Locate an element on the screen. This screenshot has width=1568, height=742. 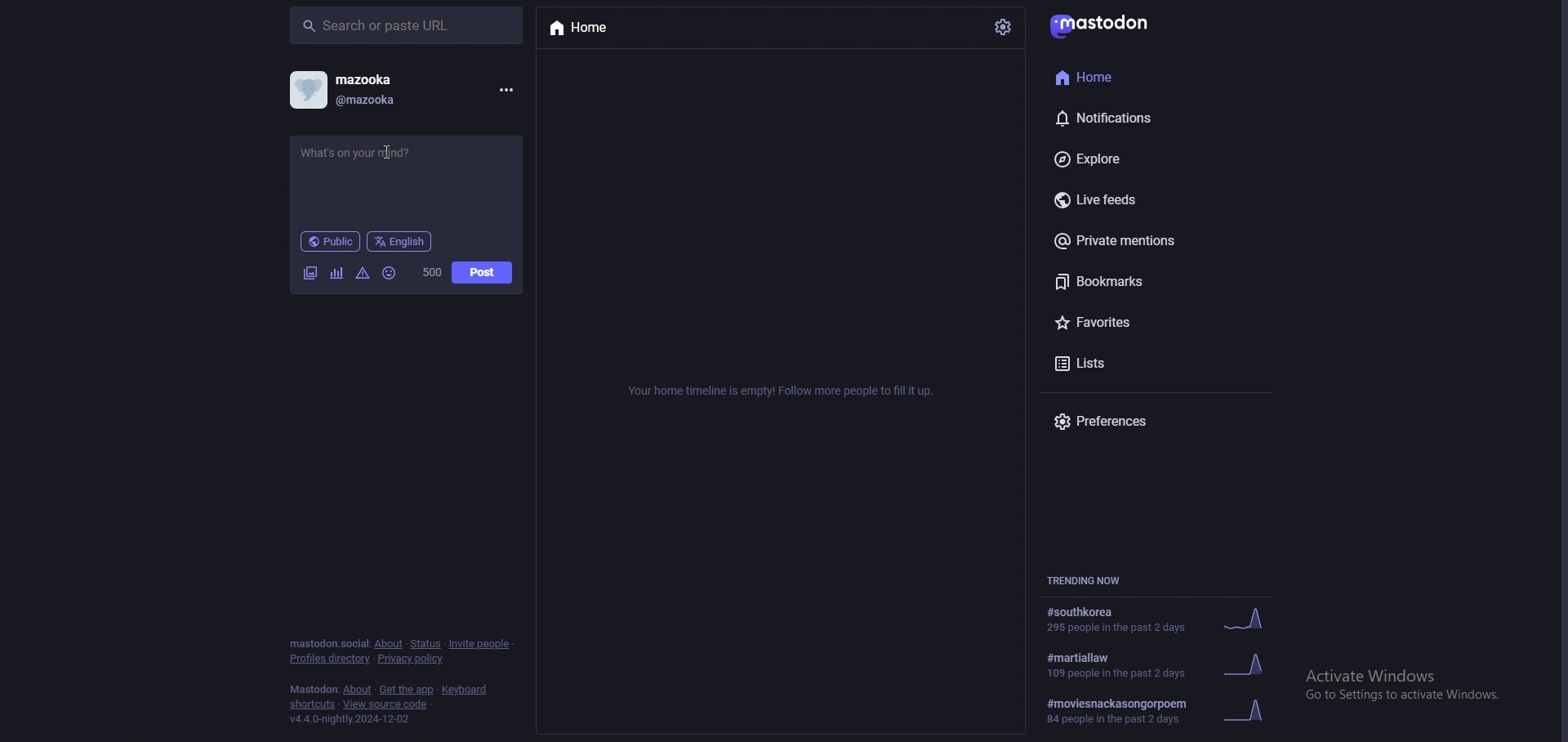
cursor is located at coordinates (385, 154).